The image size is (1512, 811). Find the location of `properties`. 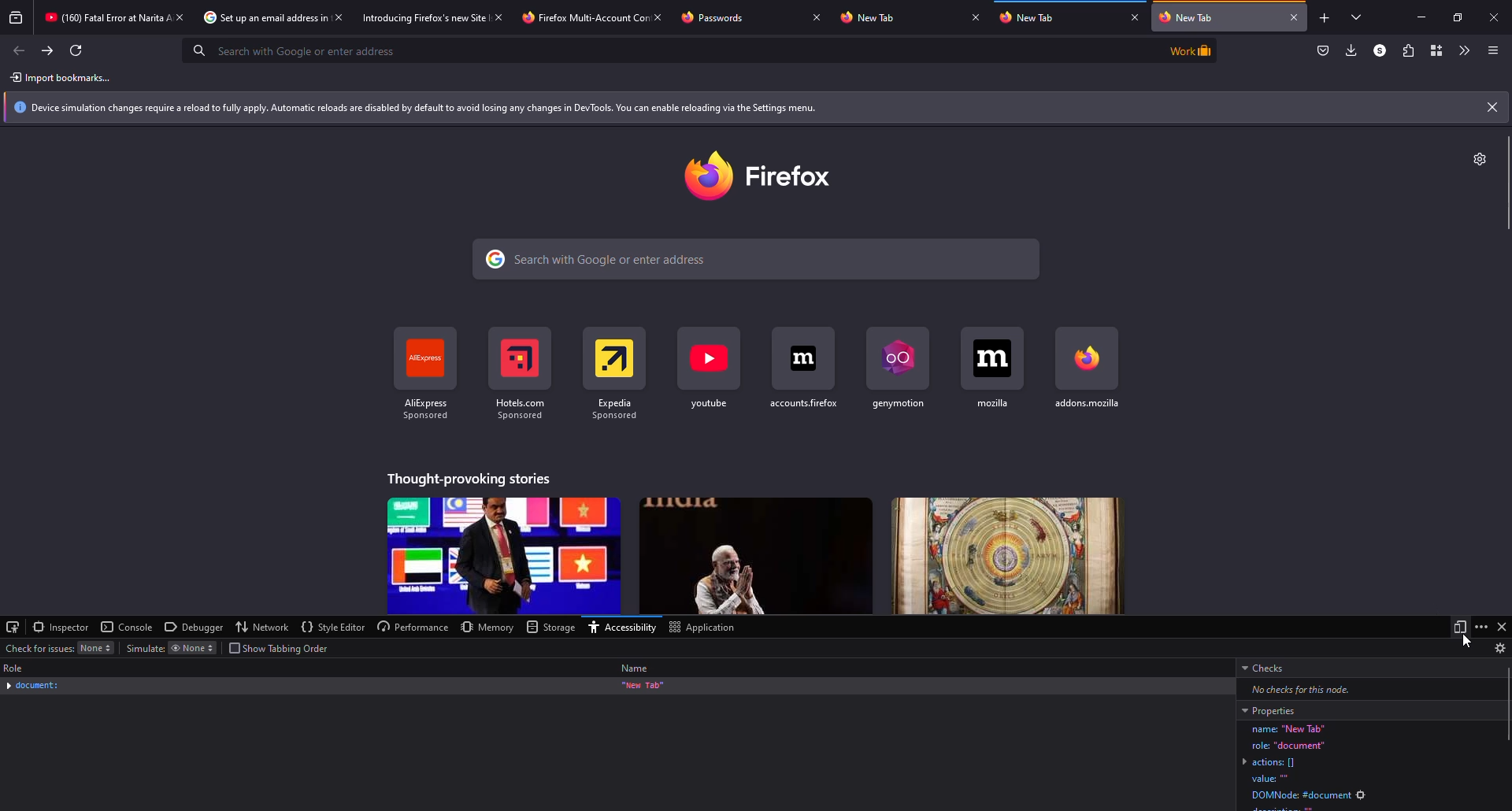

properties is located at coordinates (1269, 710).